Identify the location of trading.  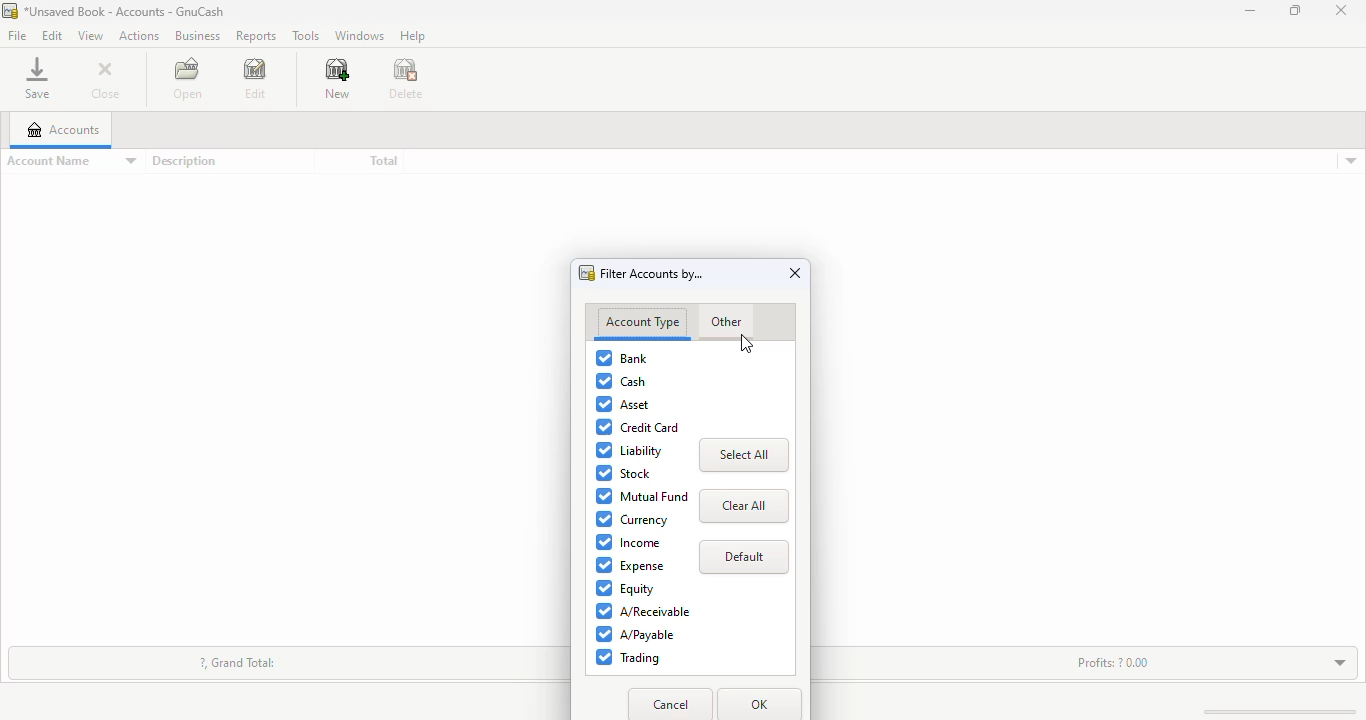
(628, 658).